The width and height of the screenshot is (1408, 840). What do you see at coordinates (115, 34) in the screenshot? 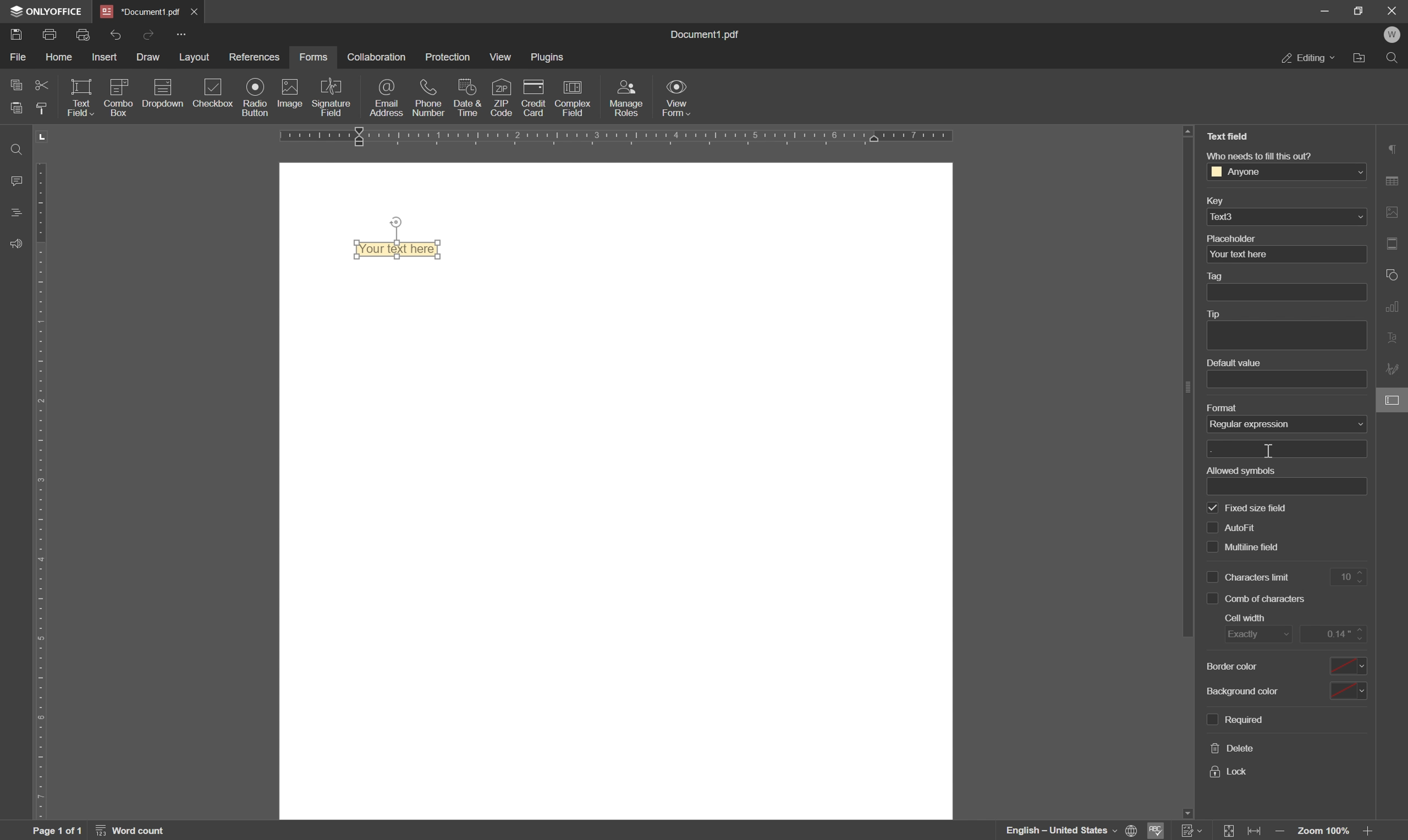
I see `undo` at bounding box center [115, 34].